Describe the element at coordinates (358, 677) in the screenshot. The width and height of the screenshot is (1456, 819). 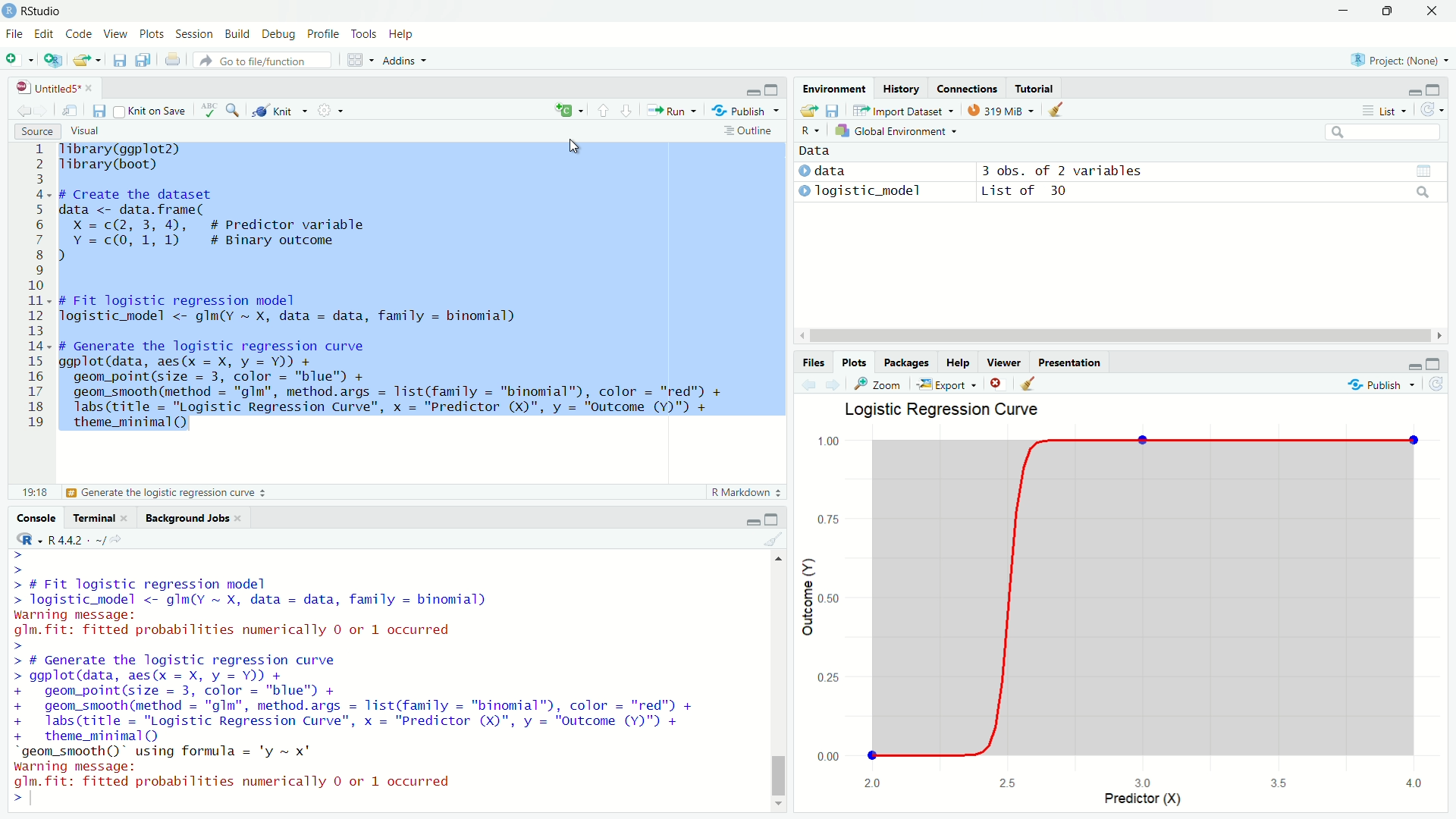
I see `>
>

> # Fit logistic regression model

> logistic_model <- gIm(Y ~ X, data = data, family = binomial)

Warning message:

glm. fit: fitted probabilities numerically 0 or 1 occurred

>

> # Generate the logistic regression curve

> ggplot(data, aes(x = X, y = Y)) +

+ geom_point(size = 3, color = "blue") +

+  geom_smooth(method = "gIm", method.args = list(family = "binomial", color = "red") +
+ labs(title = "Logistic Regression Curve", x = "Predictor (X)", y = "outcome (Y)") +
+ theme_minimal()

“geom_smooth()" using formula = 'y ~ x"

Warning message:

glm. fit: fitted probabilities numerically 0 or 1 occurred

>` at that location.